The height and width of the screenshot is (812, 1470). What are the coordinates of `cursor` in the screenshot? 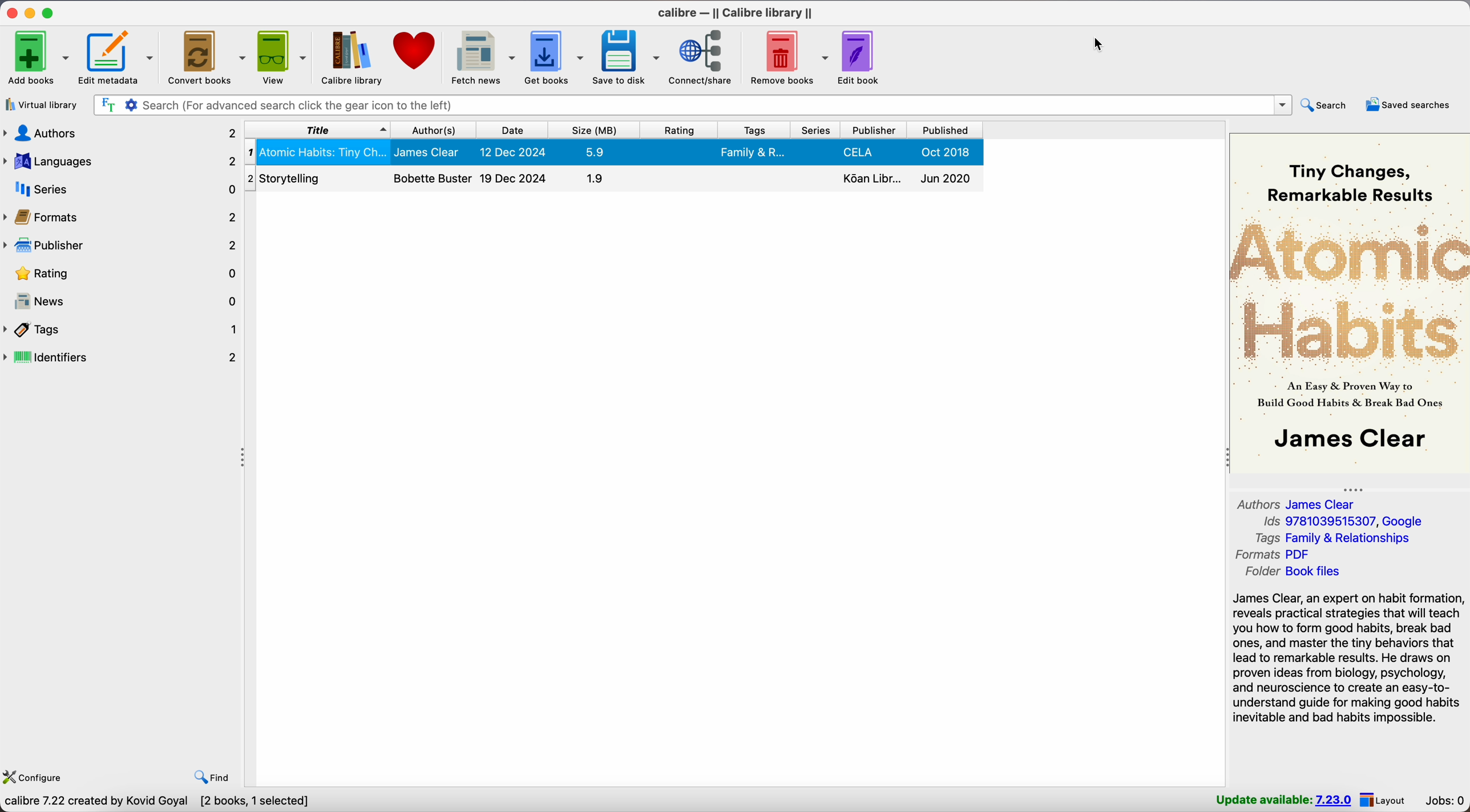 It's located at (1101, 44).